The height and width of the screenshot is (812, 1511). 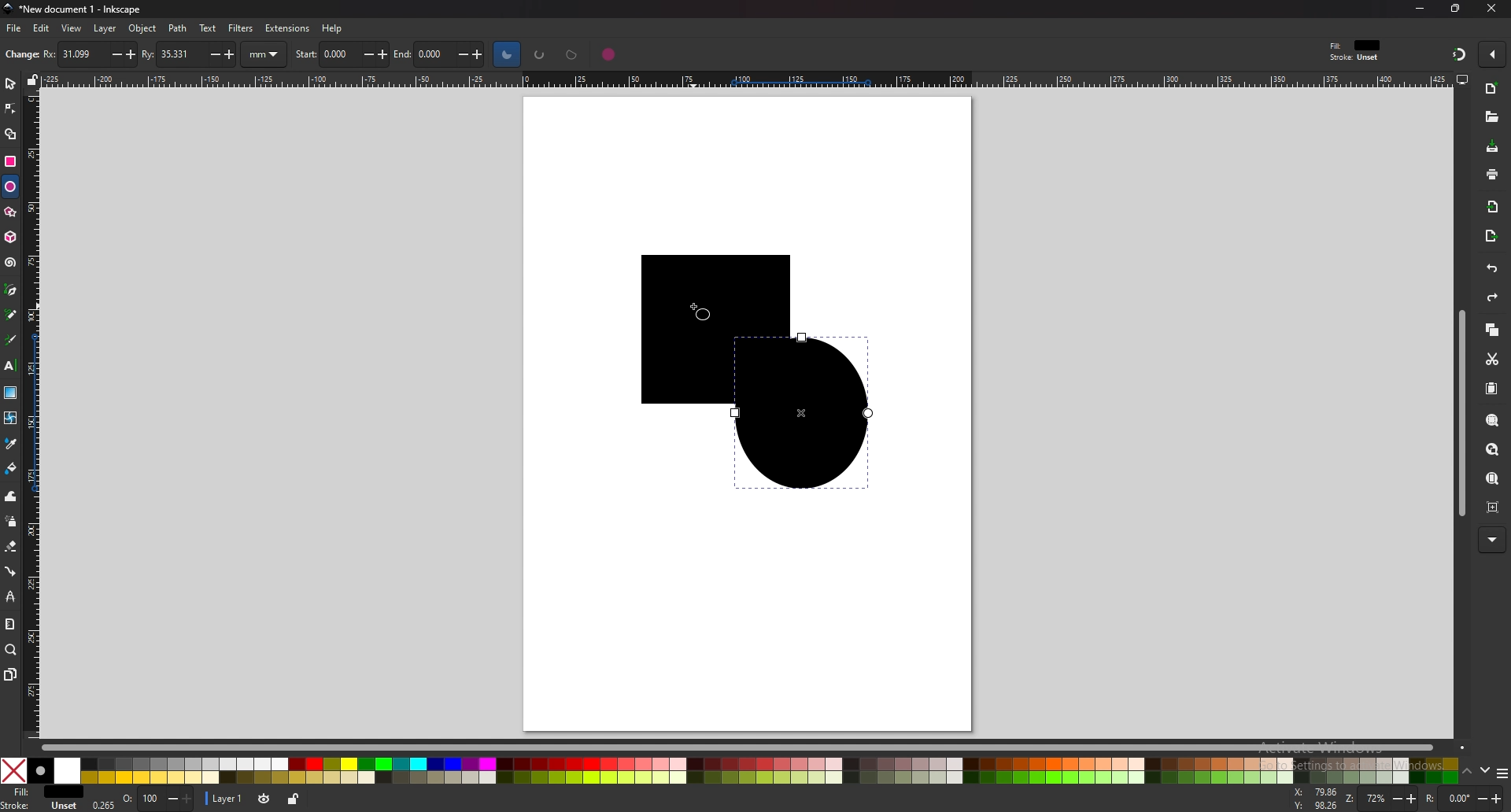 What do you see at coordinates (1380, 799) in the screenshot?
I see `zoom` at bounding box center [1380, 799].